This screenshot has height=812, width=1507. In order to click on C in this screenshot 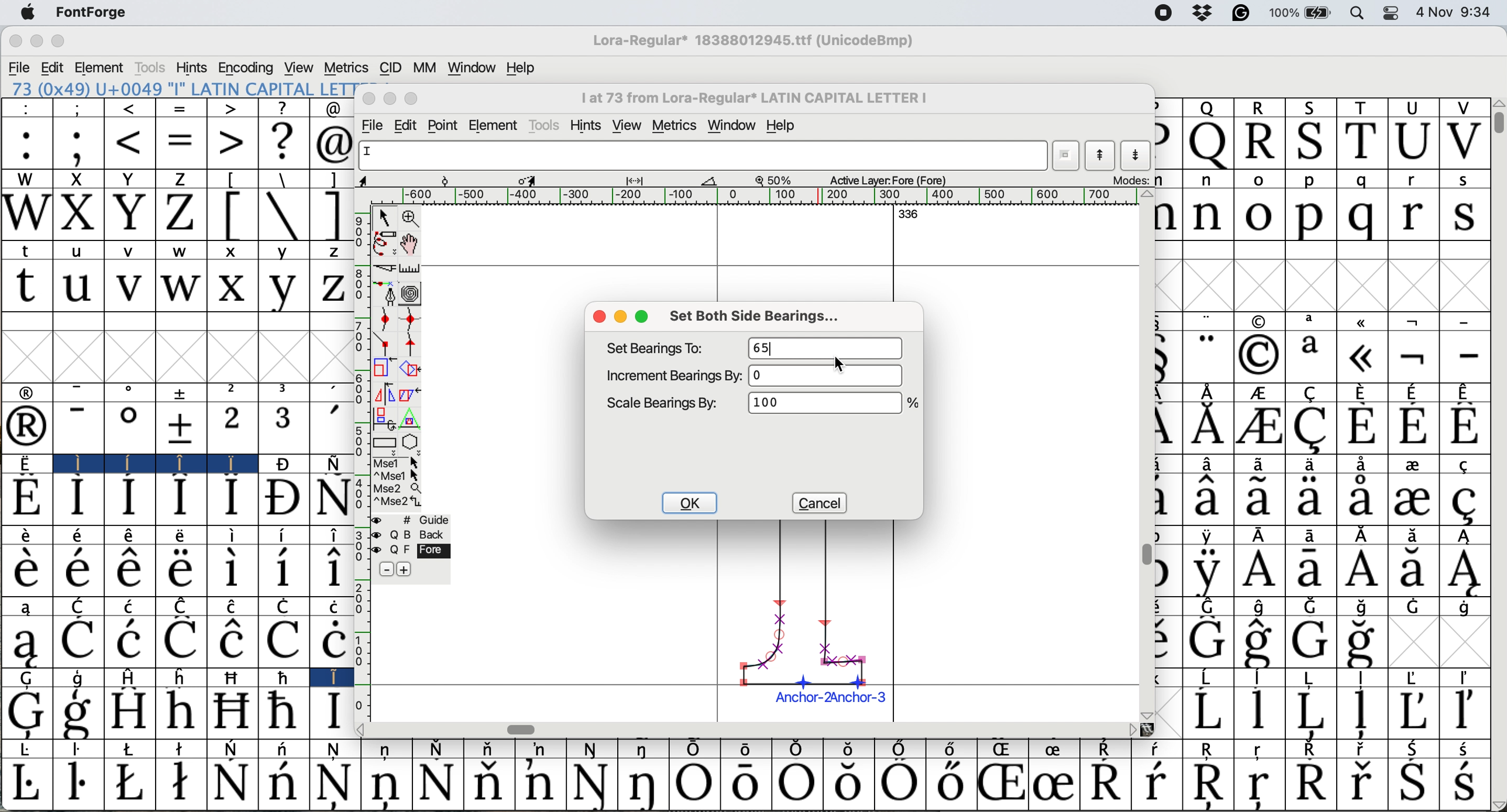, I will do `click(78, 605)`.